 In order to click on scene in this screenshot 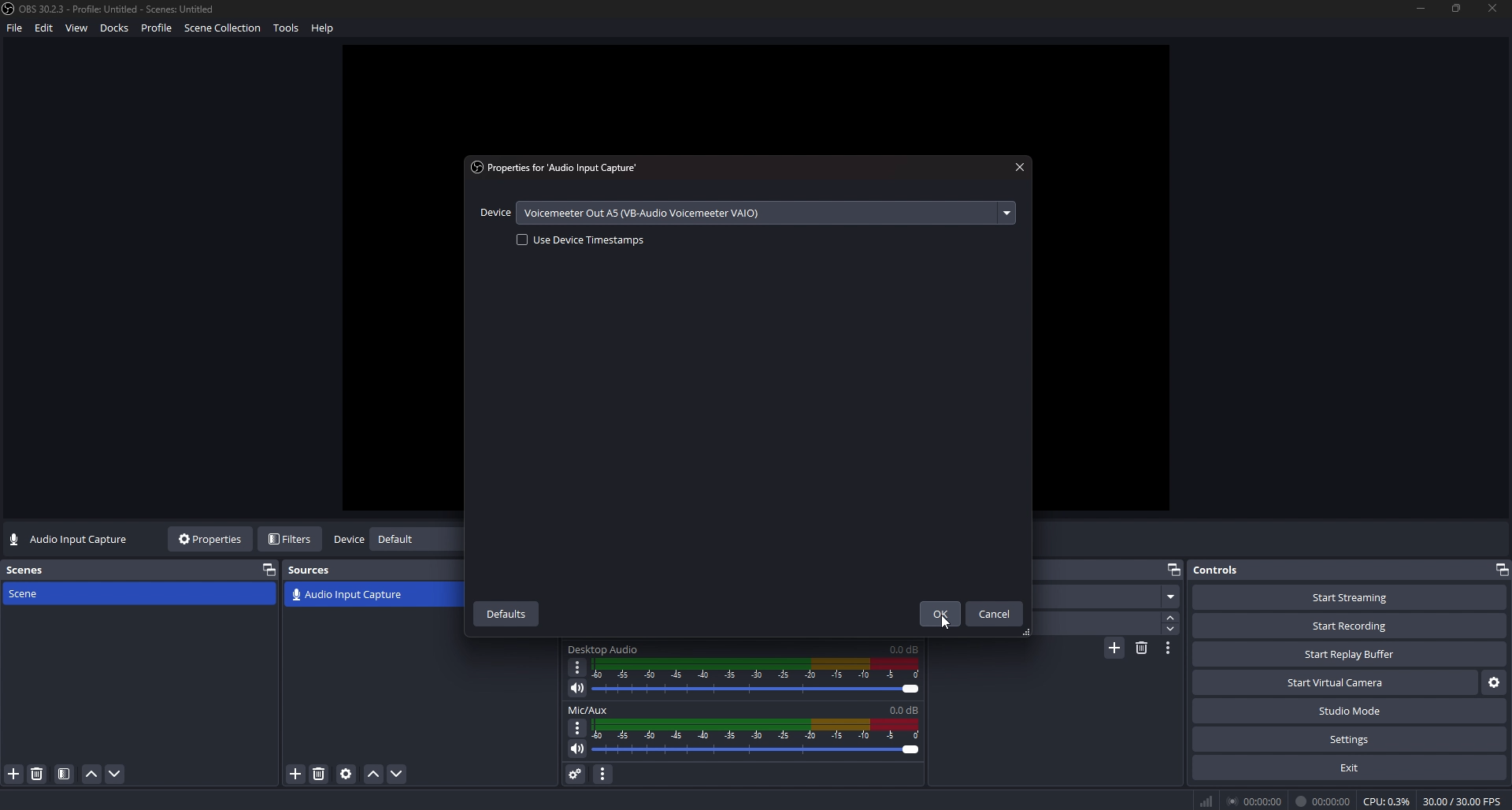, I will do `click(41, 593)`.